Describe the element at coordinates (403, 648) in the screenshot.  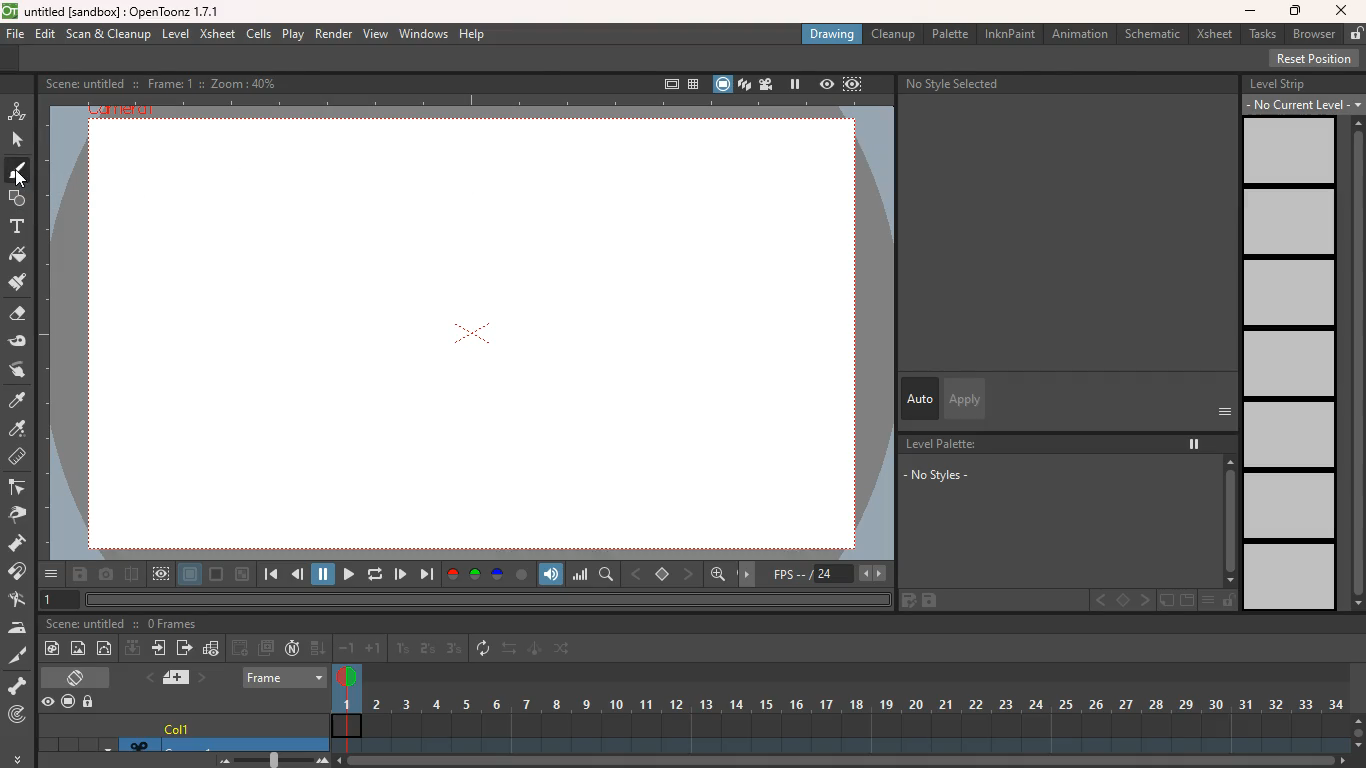
I see `1` at that location.